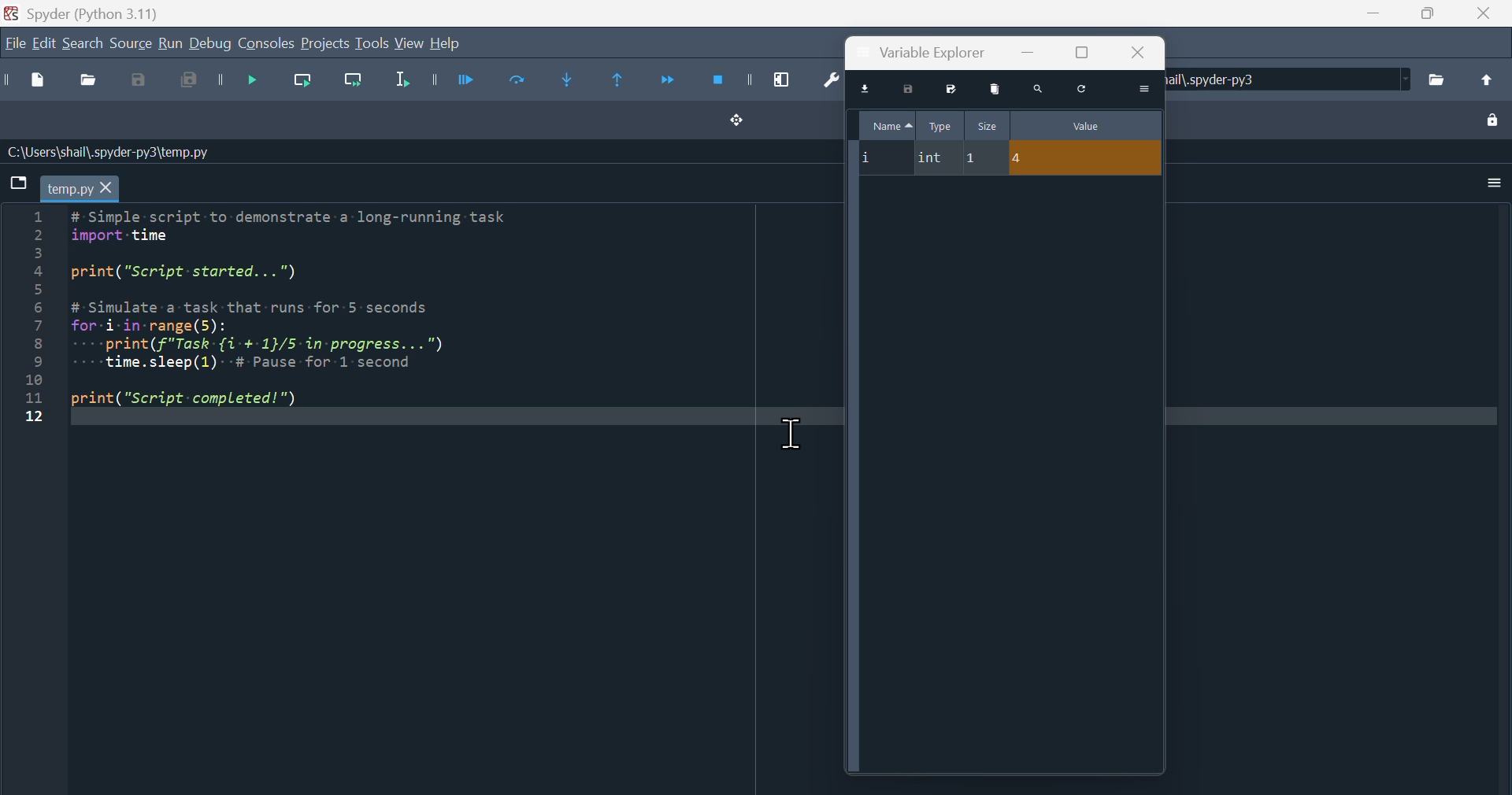 The image size is (1512, 795). Describe the element at coordinates (191, 85) in the screenshot. I see `save all` at that location.